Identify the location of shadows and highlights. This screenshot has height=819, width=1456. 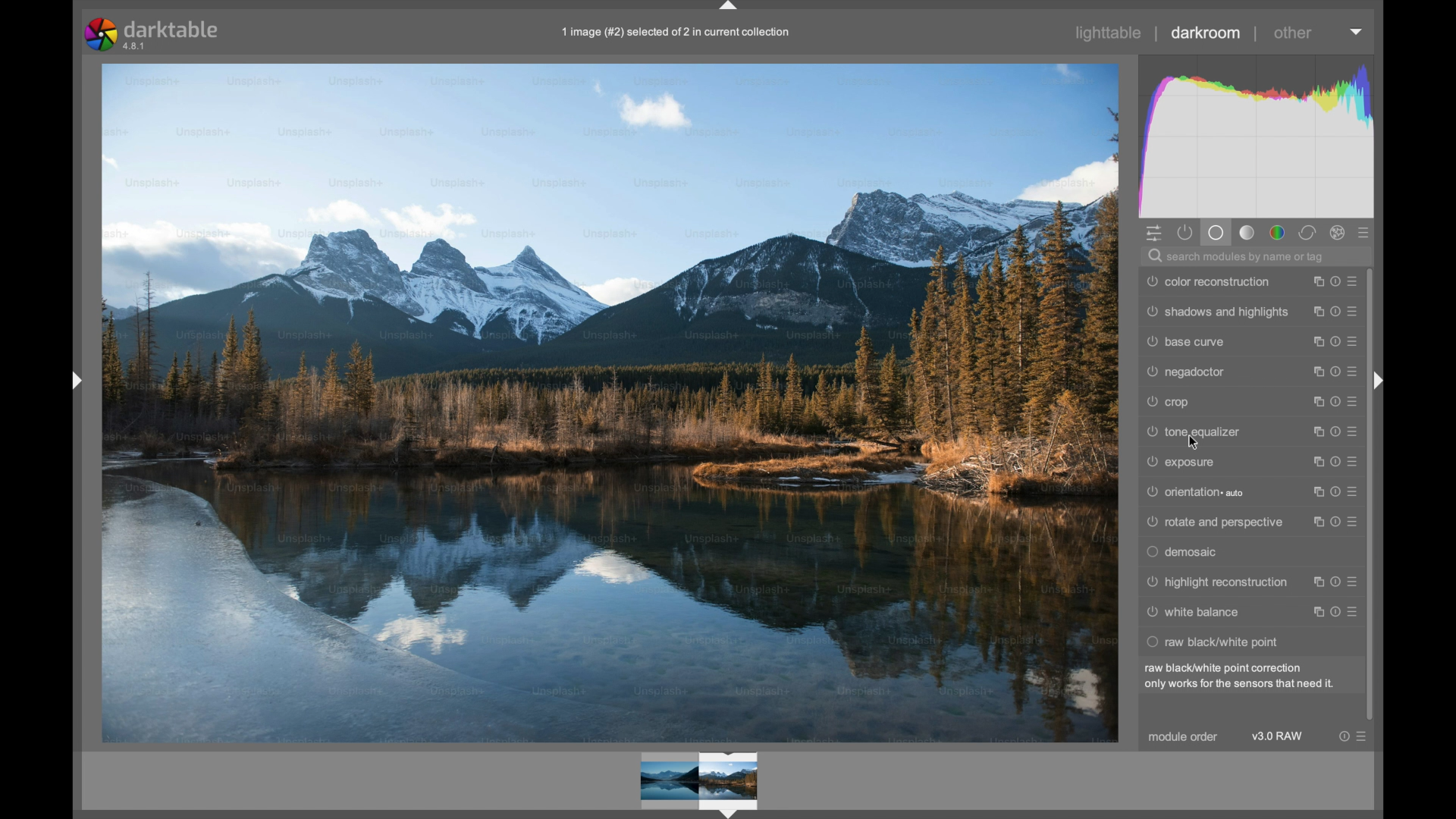
(1218, 312).